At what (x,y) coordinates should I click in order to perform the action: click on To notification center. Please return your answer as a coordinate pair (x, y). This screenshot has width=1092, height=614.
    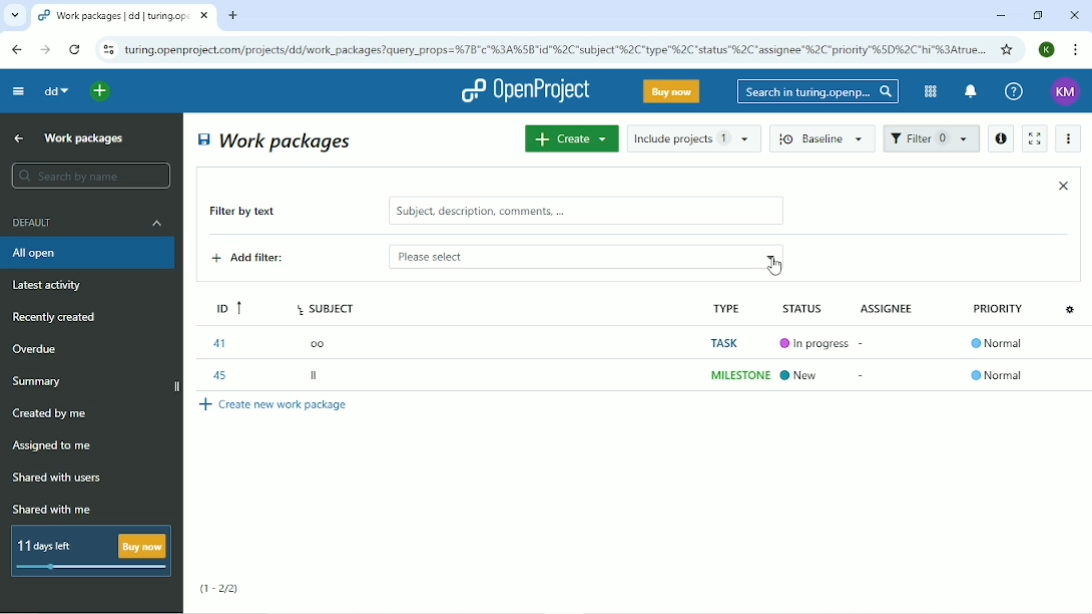
    Looking at the image, I should click on (969, 93).